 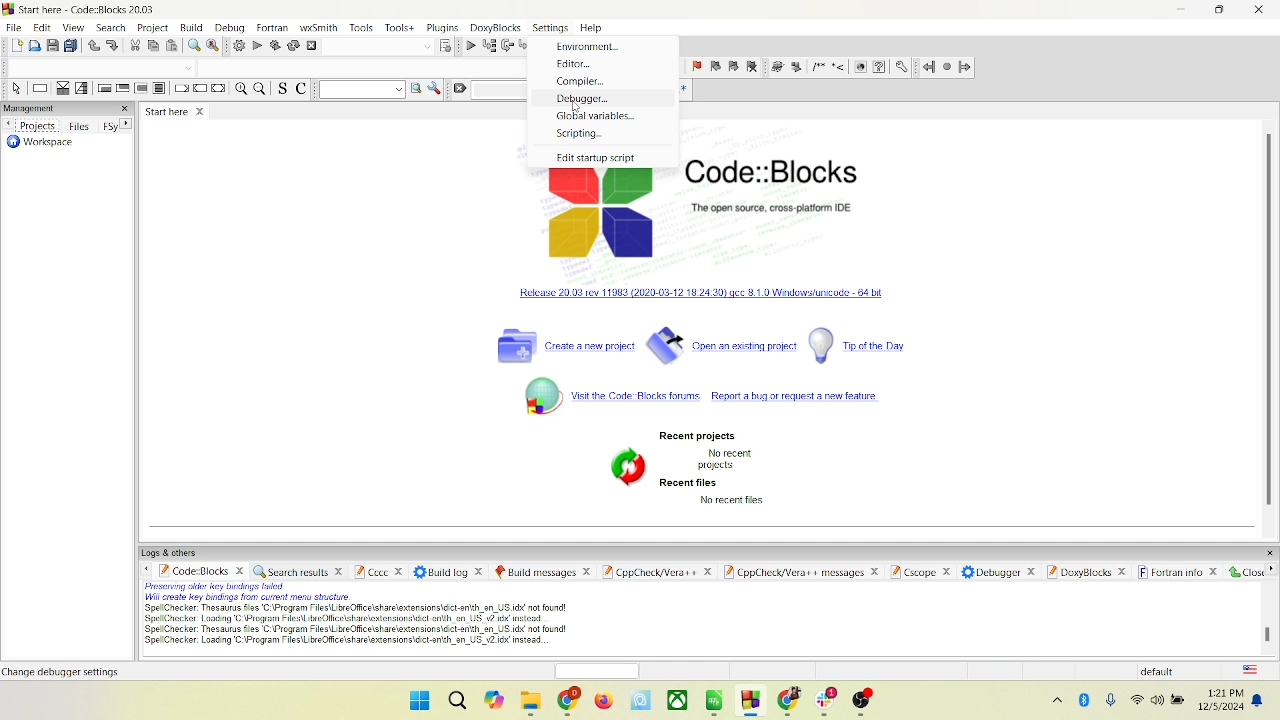 What do you see at coordinates (191, 29) in the screenshot?
I see `build` at bounding box center [191, 29].